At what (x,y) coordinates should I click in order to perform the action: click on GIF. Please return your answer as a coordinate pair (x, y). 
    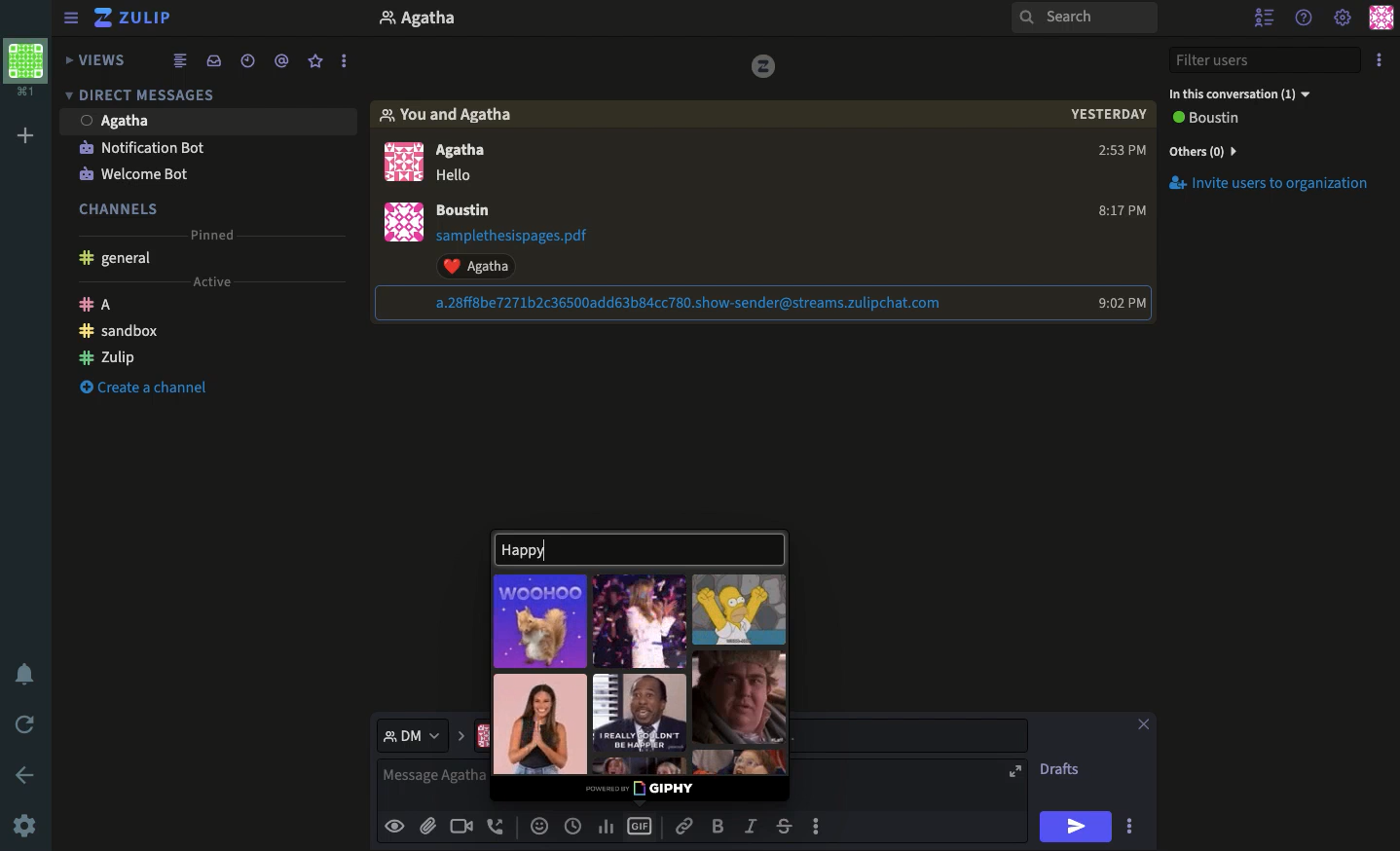
    Looking at the image, I should click on (643, 712).